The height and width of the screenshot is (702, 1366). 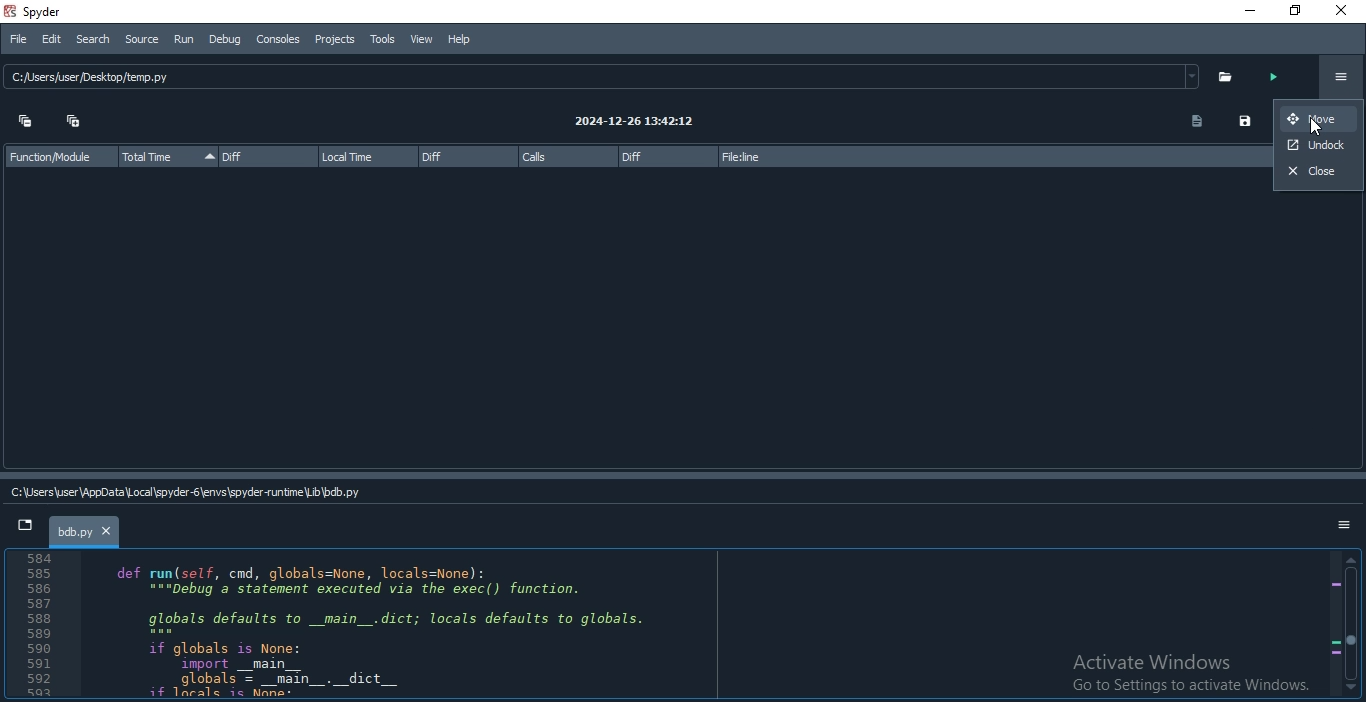 I want to click on open folder, so click(x=1231, y=76).